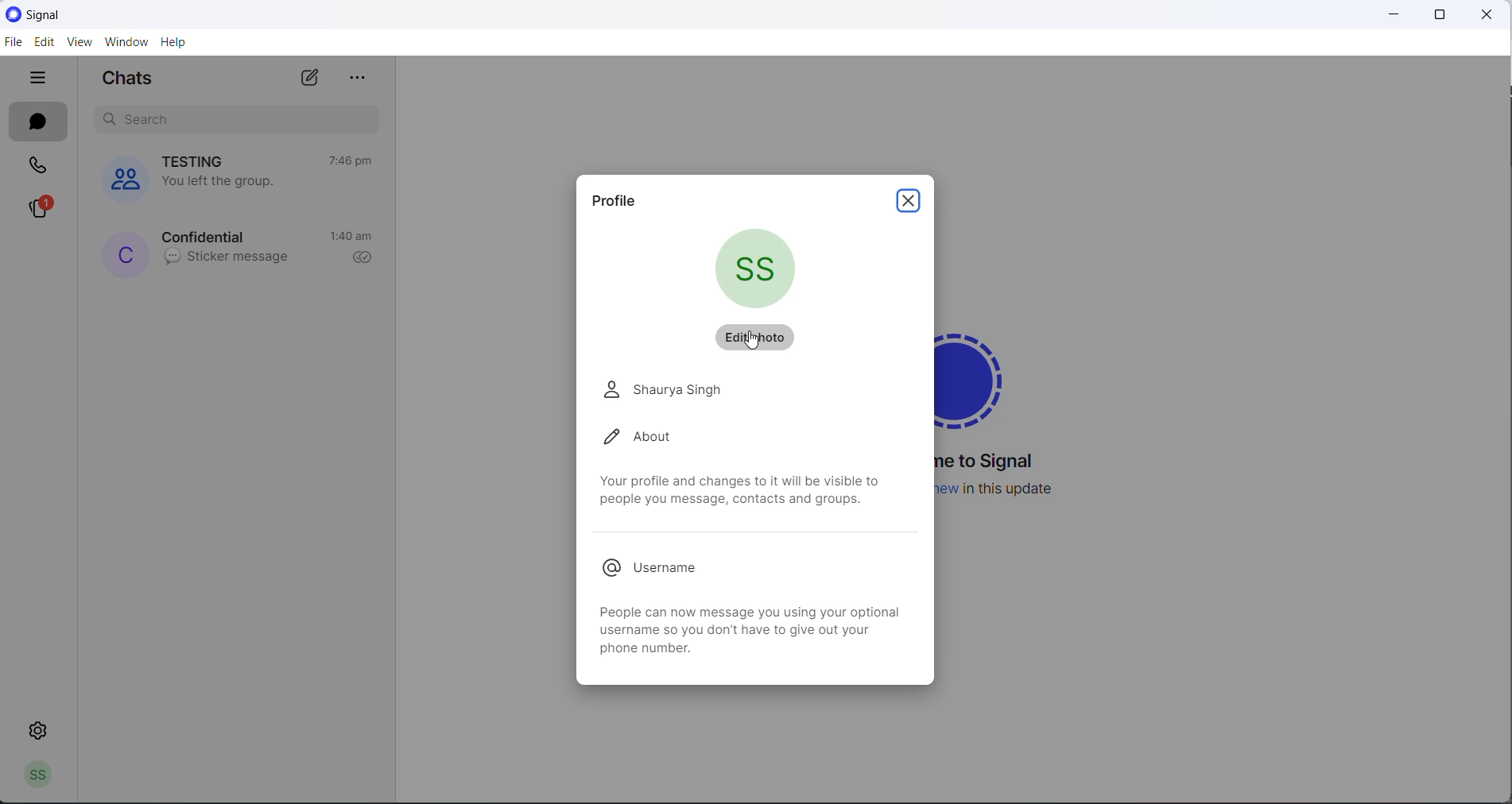 This screenshot has width=1512, height=804. I want to click on read recipient, so click(366, 258).